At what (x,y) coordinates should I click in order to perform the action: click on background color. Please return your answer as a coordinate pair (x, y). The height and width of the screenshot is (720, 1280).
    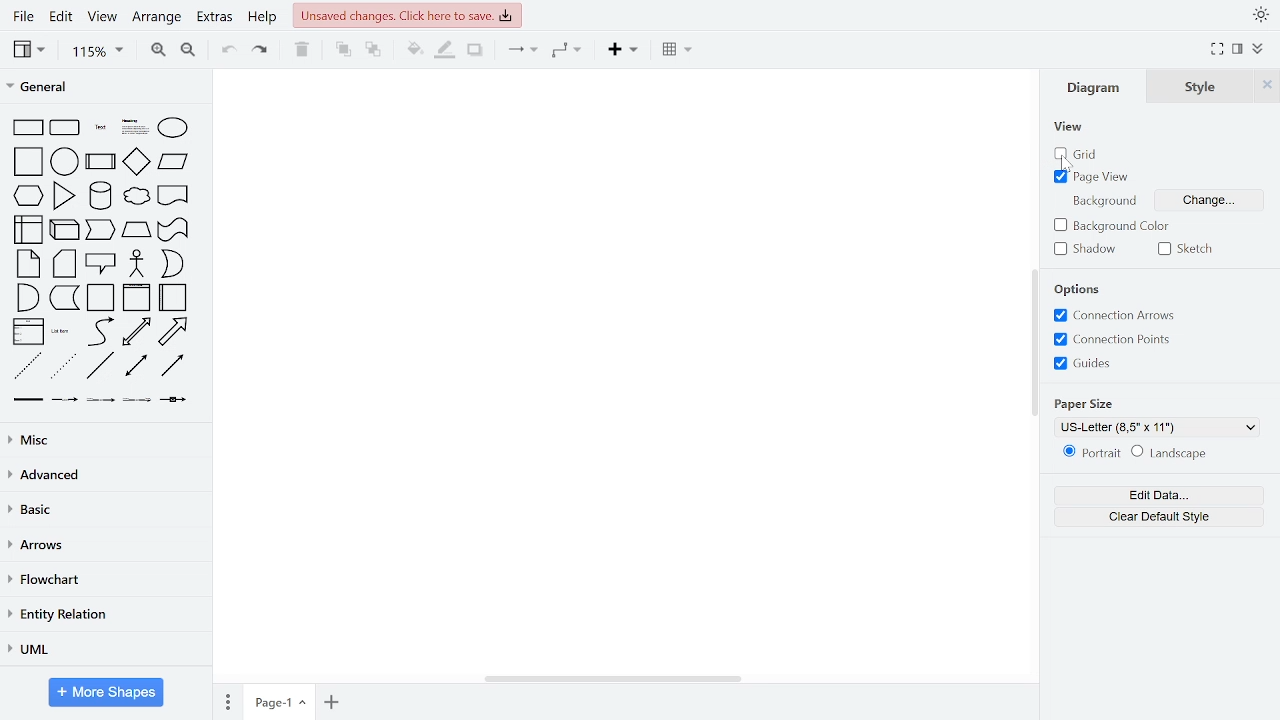
    Looking at the image, I should click on (1112, 226).